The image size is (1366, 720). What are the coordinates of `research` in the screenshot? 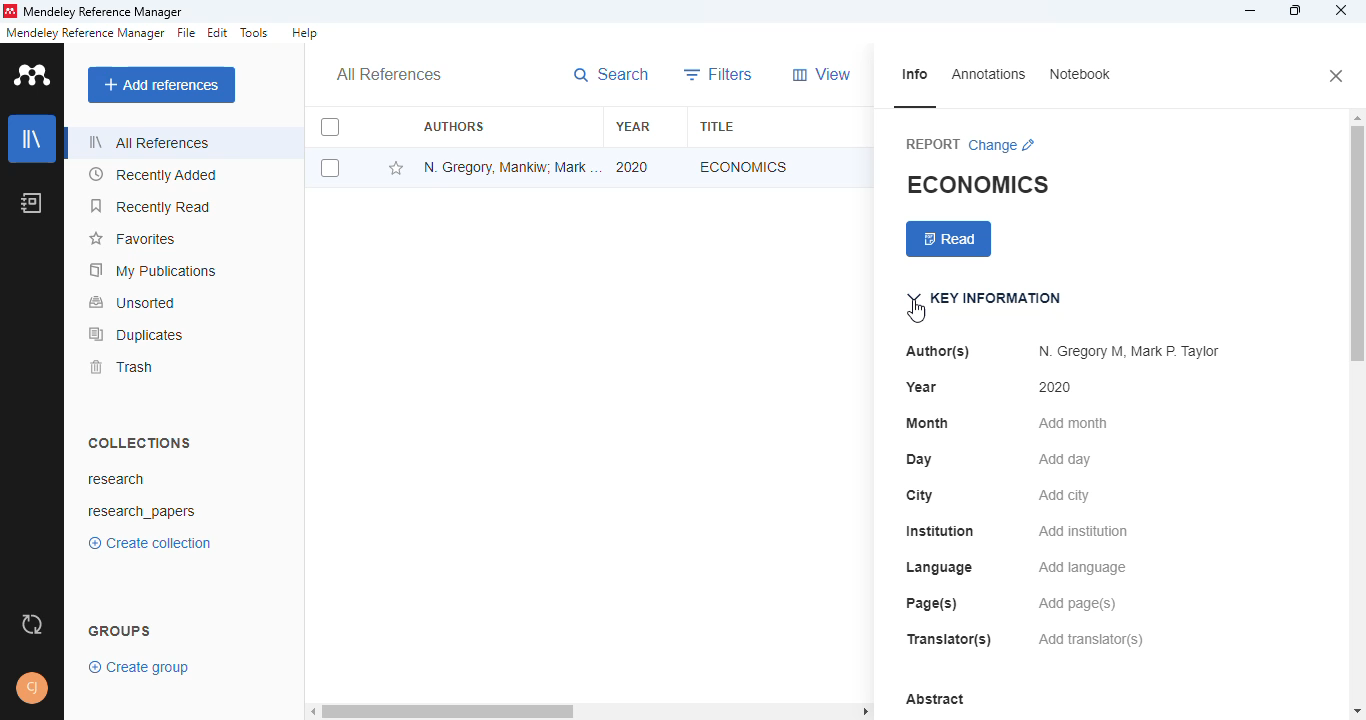 It's located at (115, 478).